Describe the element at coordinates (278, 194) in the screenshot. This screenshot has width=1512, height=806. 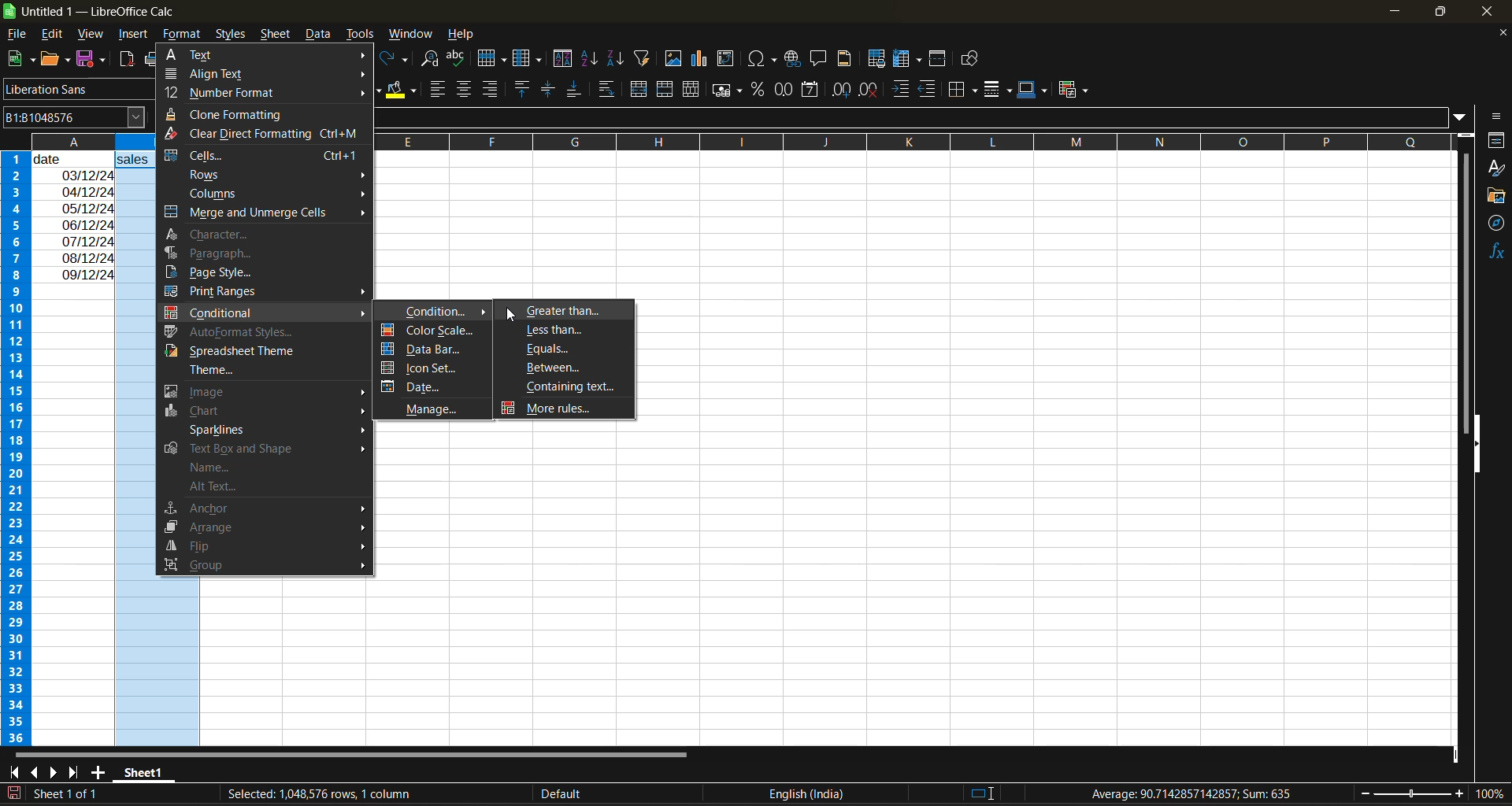
I see `columns` at that location.